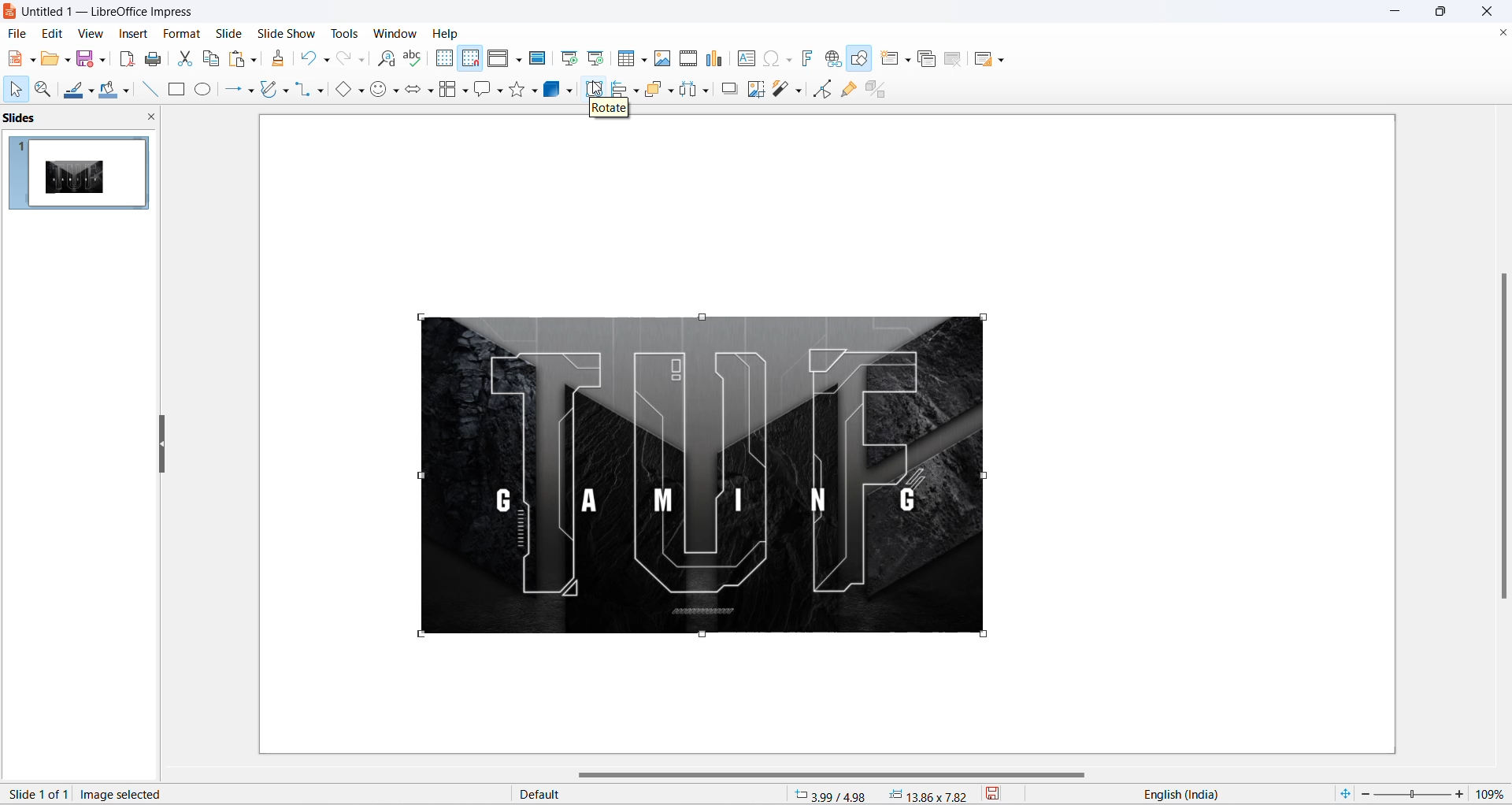  What do you see at coordinates (554, 89) in the screenshot?
I see `3d objects` at bounding box center [554, 89].